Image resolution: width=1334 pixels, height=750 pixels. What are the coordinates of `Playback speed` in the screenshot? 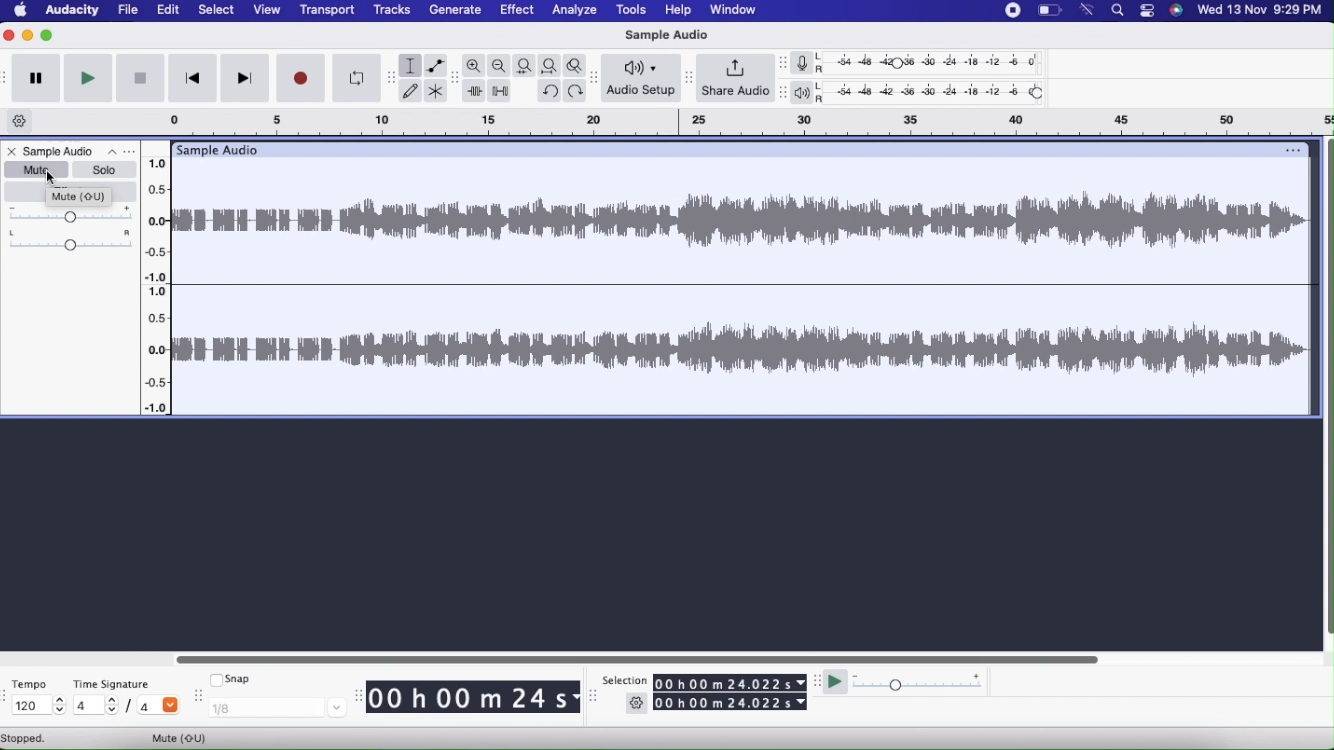 It's located at (917, 684).